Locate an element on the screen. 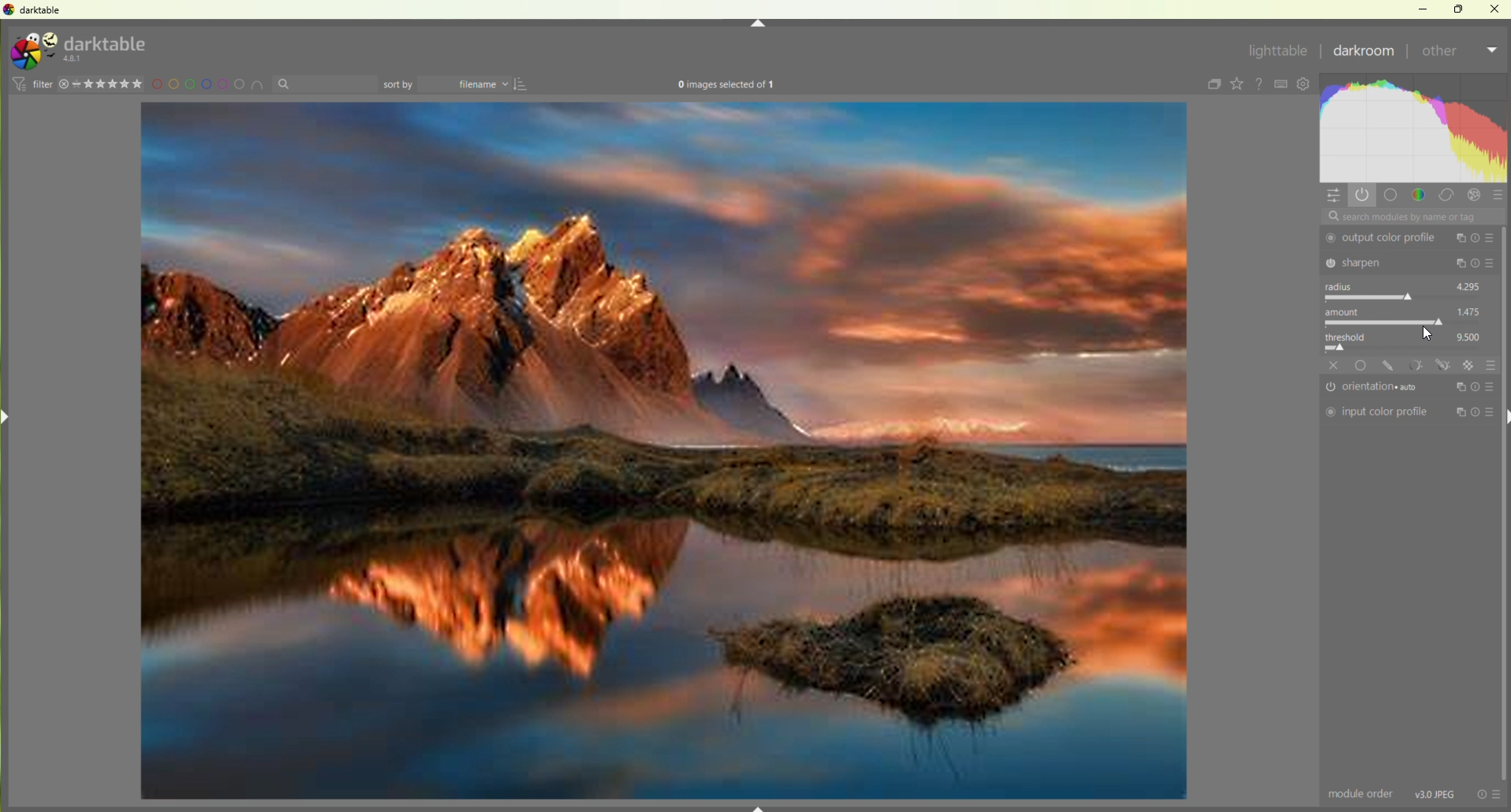 Image resolution: width=1511 pixels, height=812 pixels. sort by is located at coordinates (325, 84).